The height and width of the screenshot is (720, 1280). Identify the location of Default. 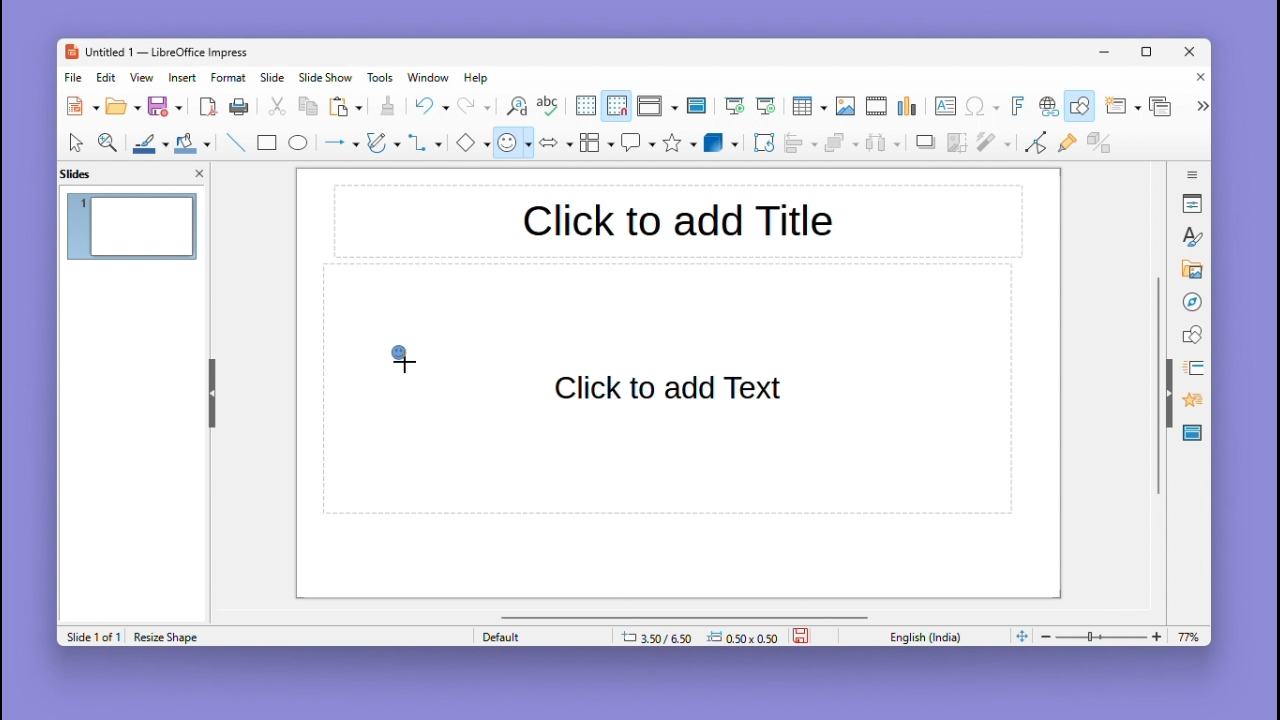
(539, 636).